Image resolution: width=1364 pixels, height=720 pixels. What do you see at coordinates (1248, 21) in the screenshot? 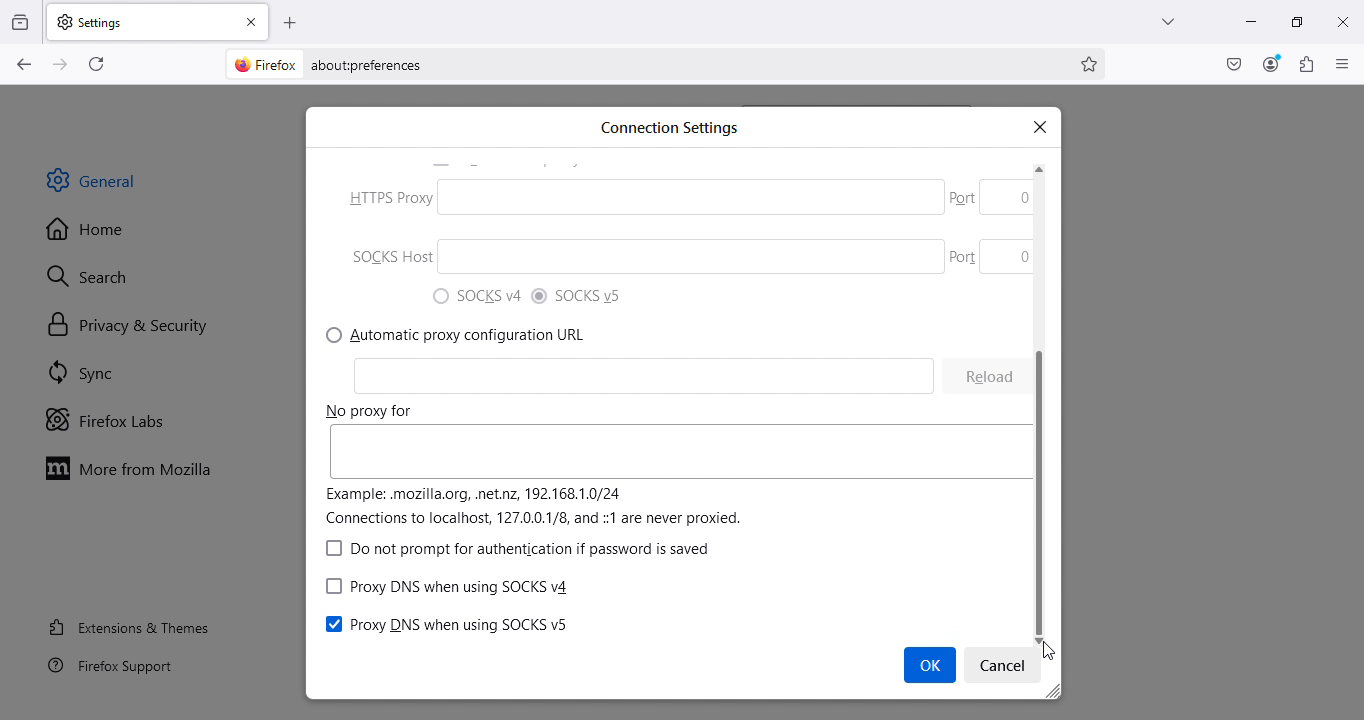
I see `Minimize` at bounding box center [1248, 21].